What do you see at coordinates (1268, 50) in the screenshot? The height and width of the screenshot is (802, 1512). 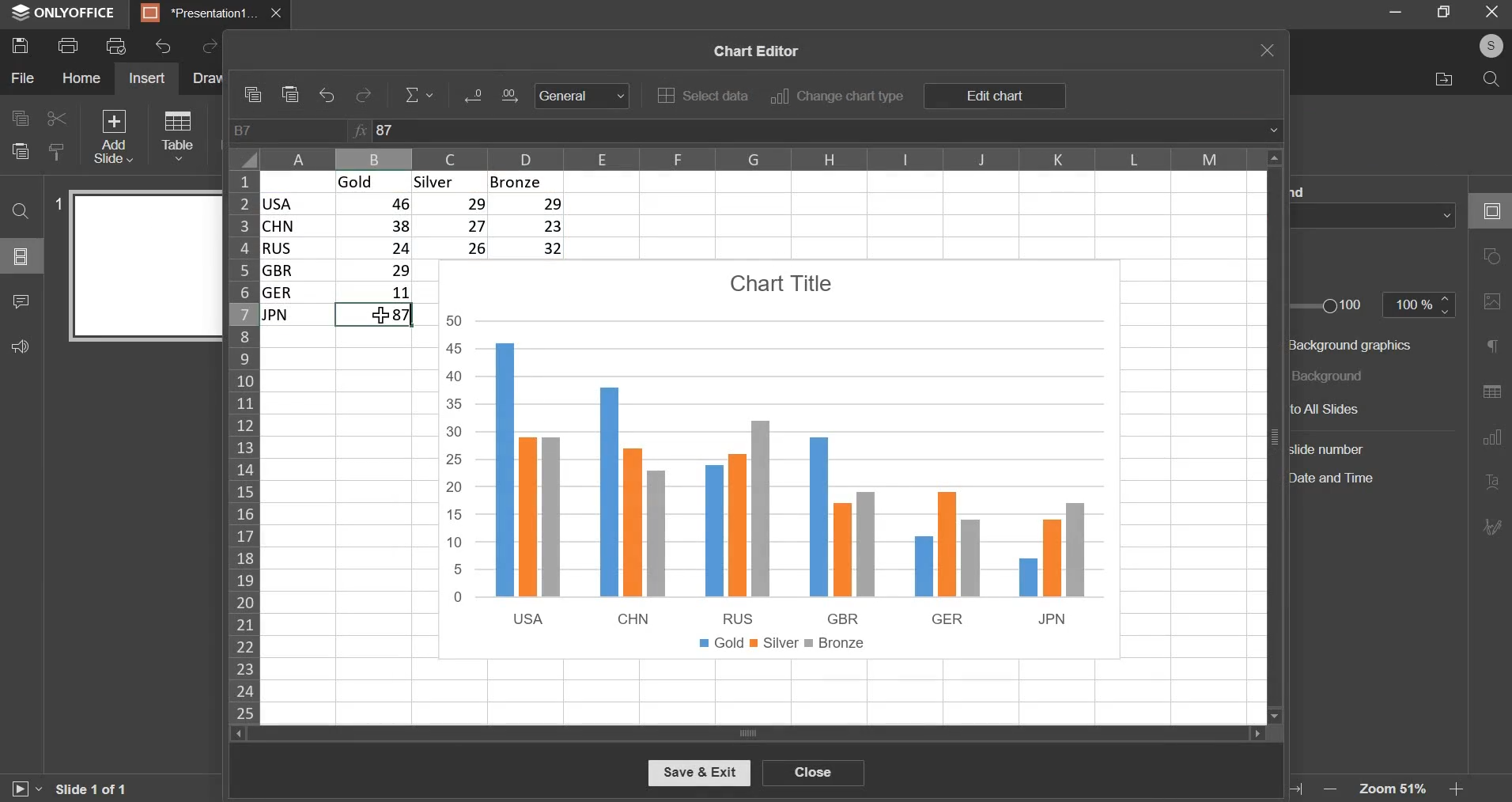 I see `exit` at bounding box center [1268, 50].